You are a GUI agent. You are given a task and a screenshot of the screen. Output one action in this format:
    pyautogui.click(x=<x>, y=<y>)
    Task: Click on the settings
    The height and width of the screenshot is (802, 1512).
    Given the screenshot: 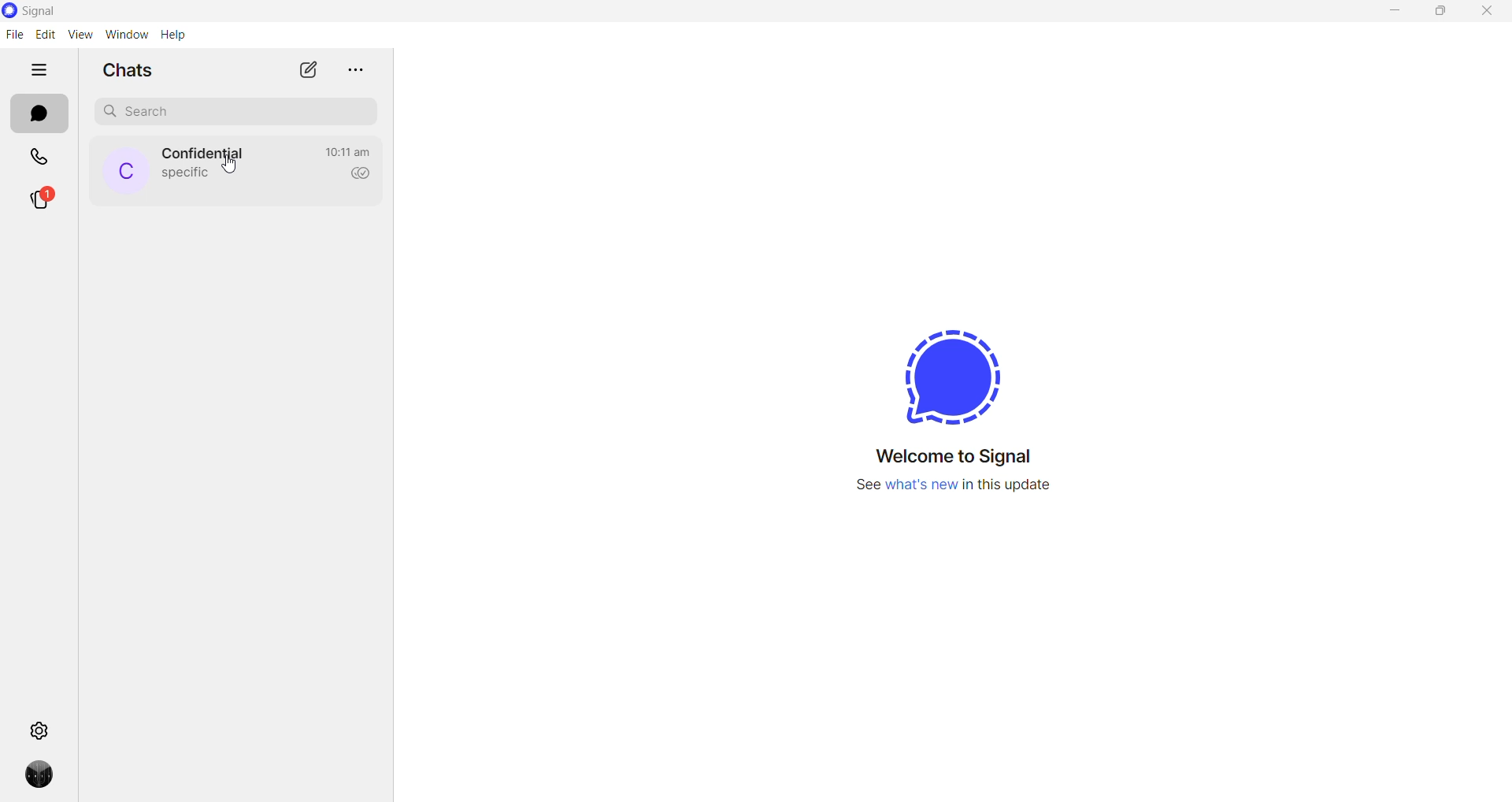 What is the action you would take?
    pyautogui.click(x=40, y=731)
    